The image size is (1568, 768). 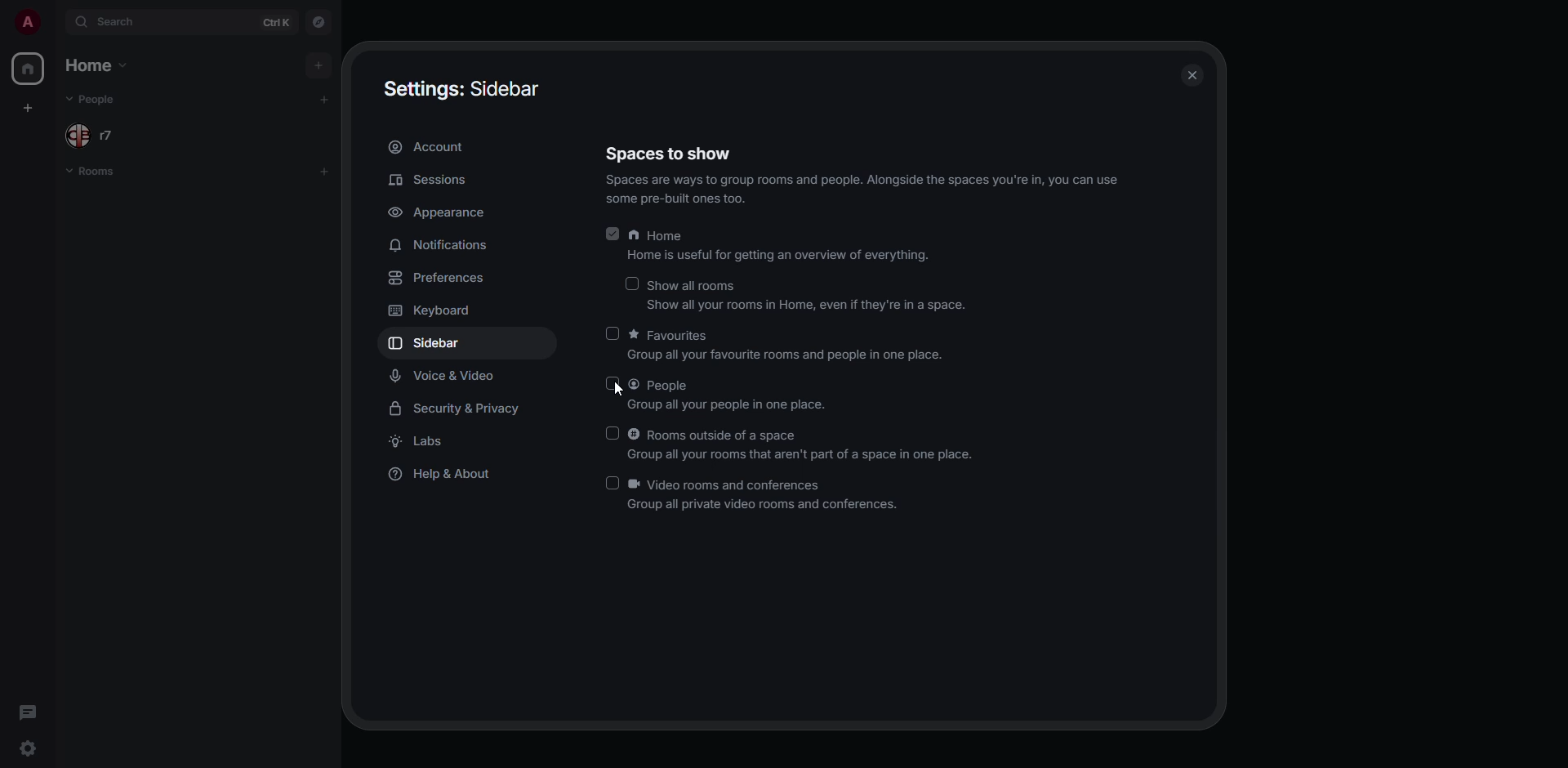 What do you see at coordinates (428, 312) in the screenshot?
I see `keyboard` at bounding box center [428, 312].